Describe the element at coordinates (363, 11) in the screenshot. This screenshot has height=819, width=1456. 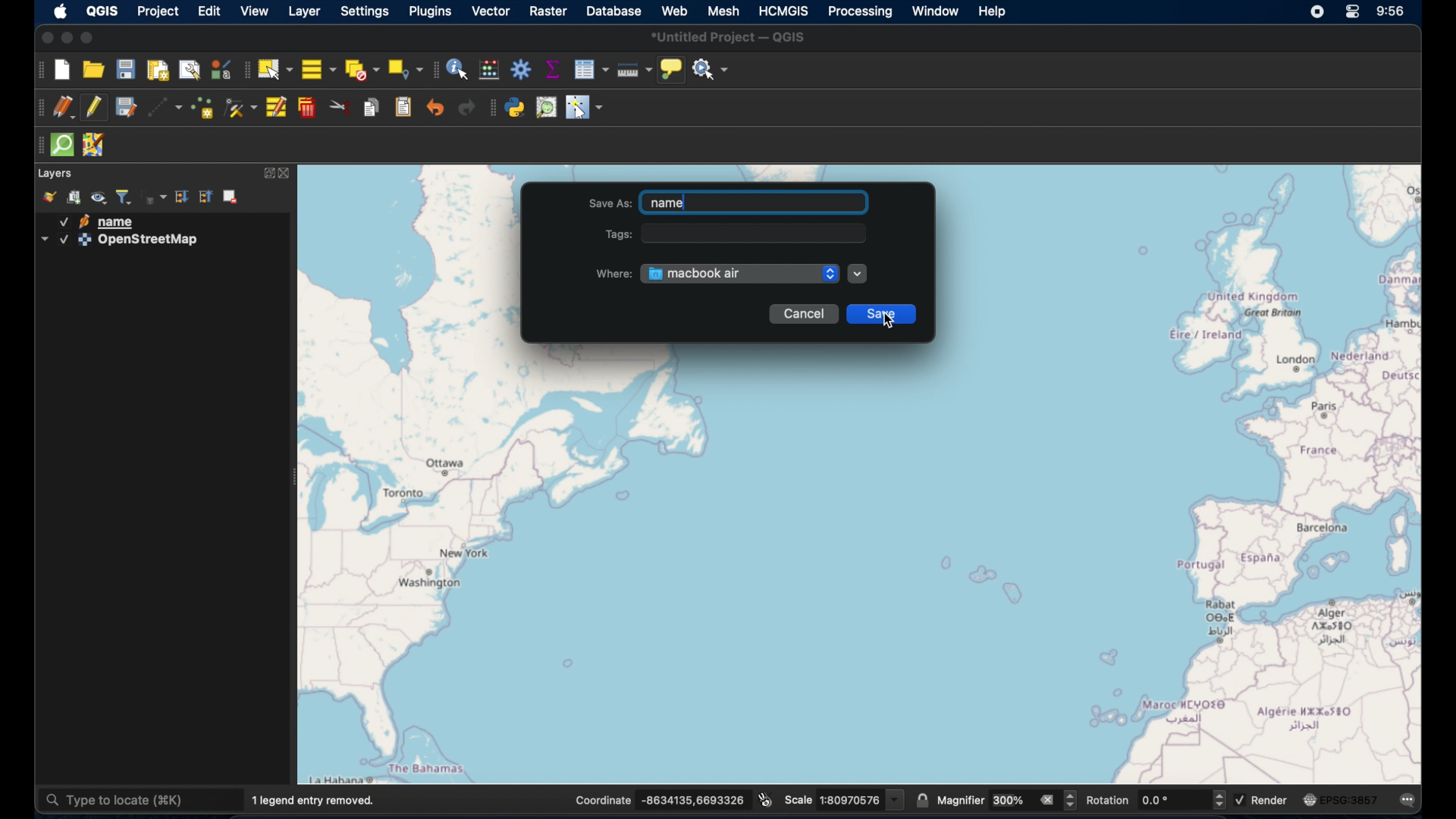
I see `settings` at that location.